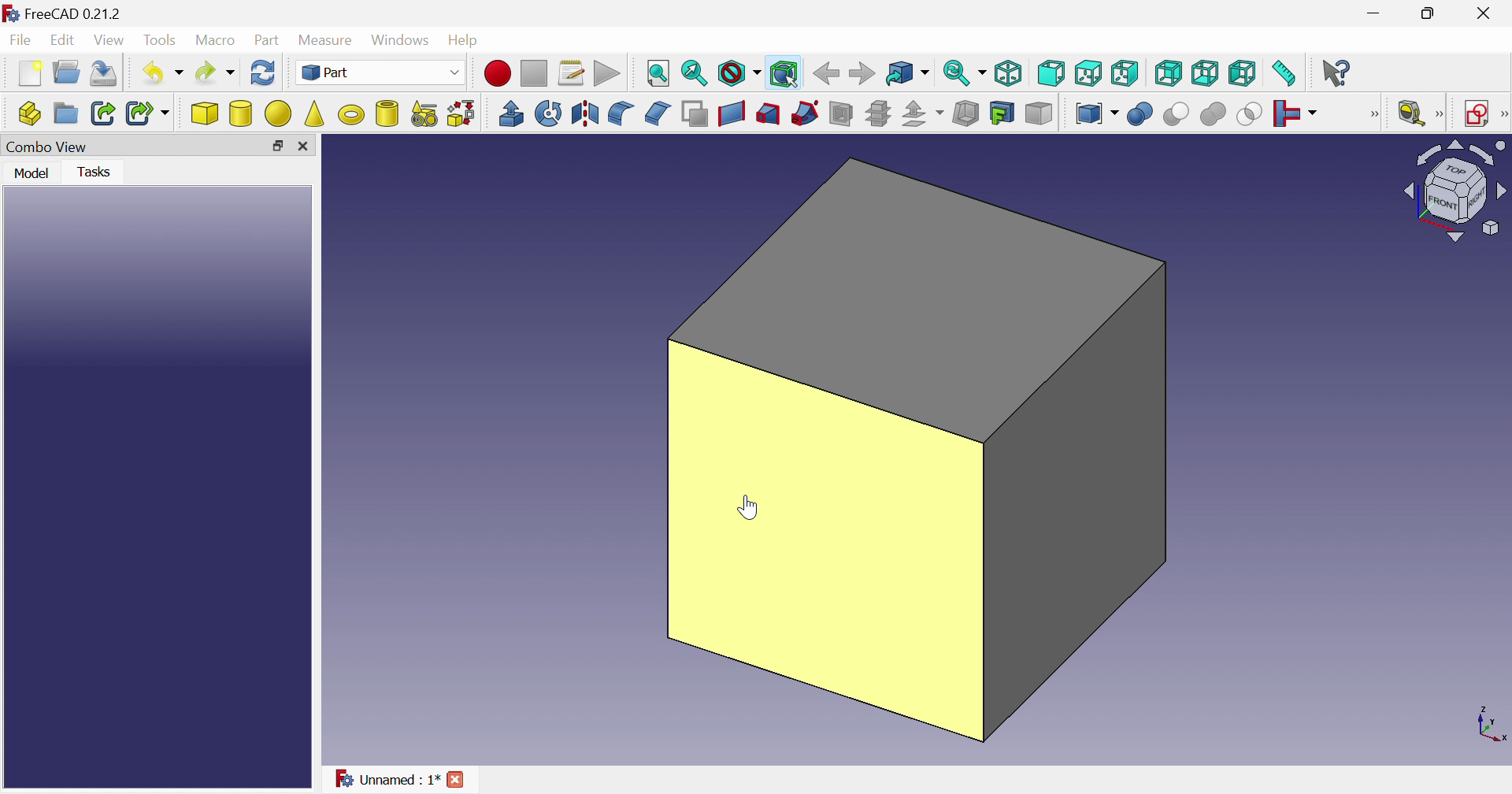 The width and height of the screenshot is (1512, 794). What do you see at coordinates (69, 71) in the screenshot?
I see `Open` at bounding box center [69, 71].